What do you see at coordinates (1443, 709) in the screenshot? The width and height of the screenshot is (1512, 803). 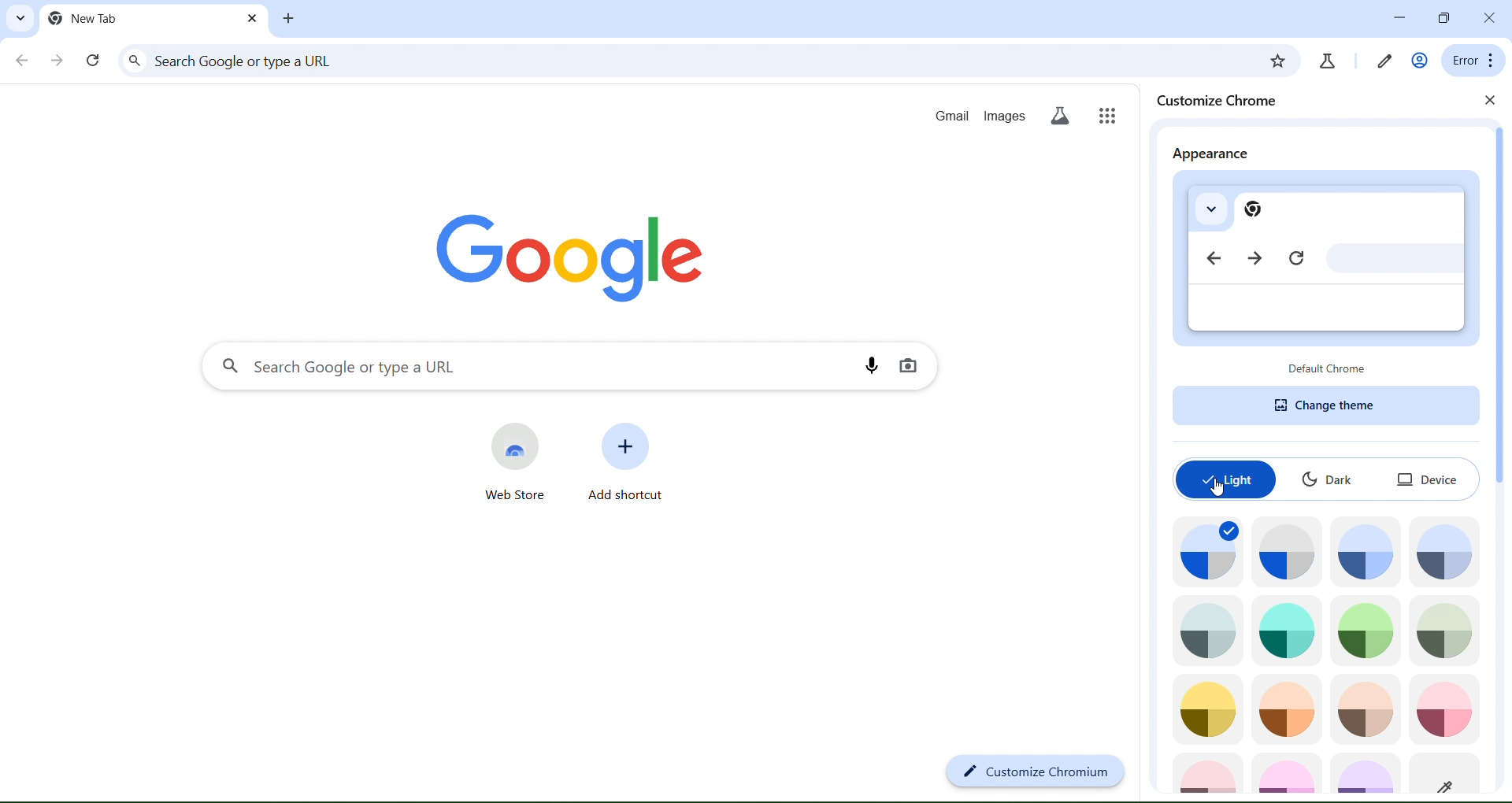 I see `image` at bounding box center [1443, 709].